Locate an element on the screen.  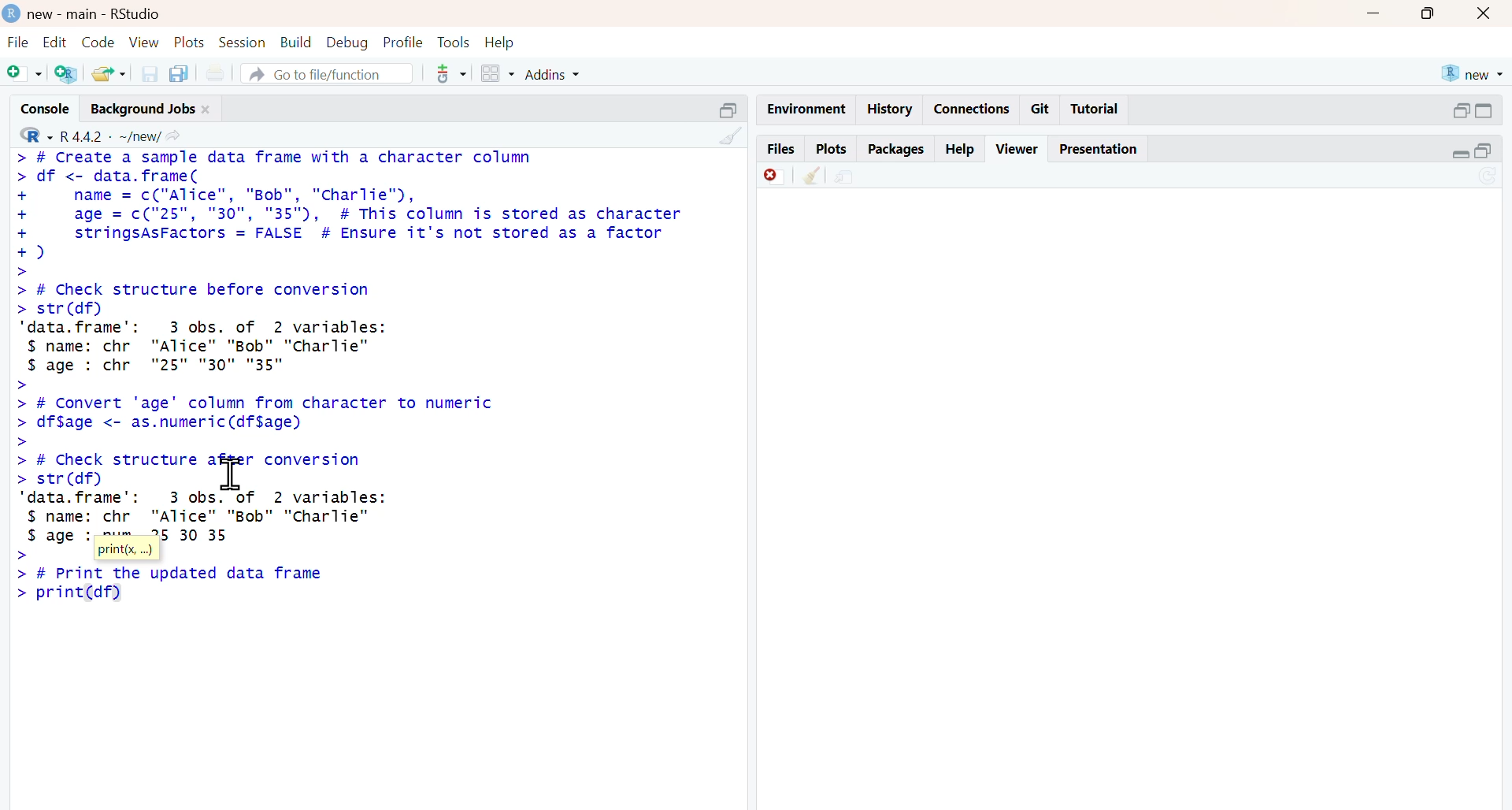
code is located at coordinates (98, 42).